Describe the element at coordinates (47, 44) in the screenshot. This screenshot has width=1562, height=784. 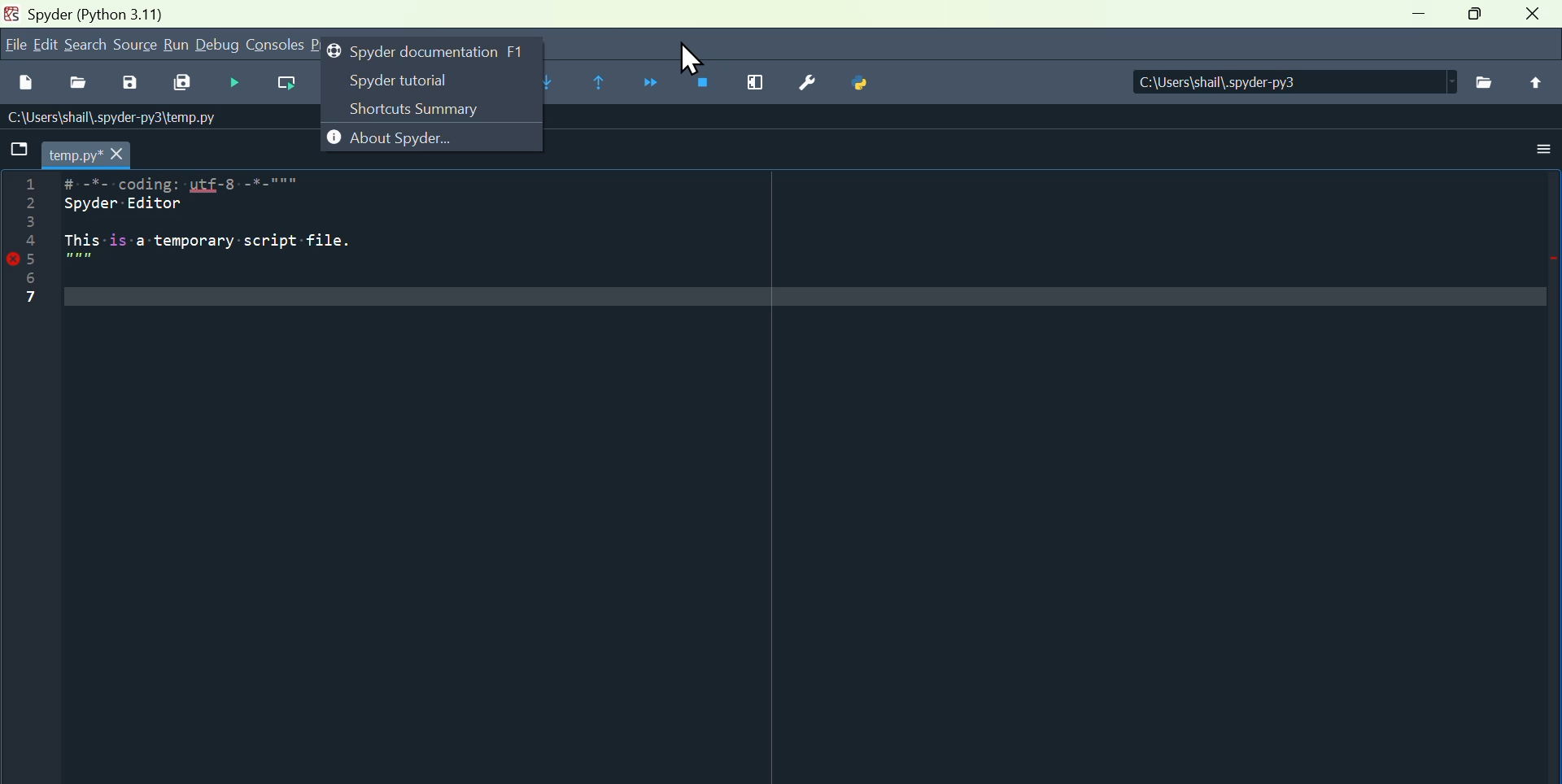
I see `Edit` at that location.